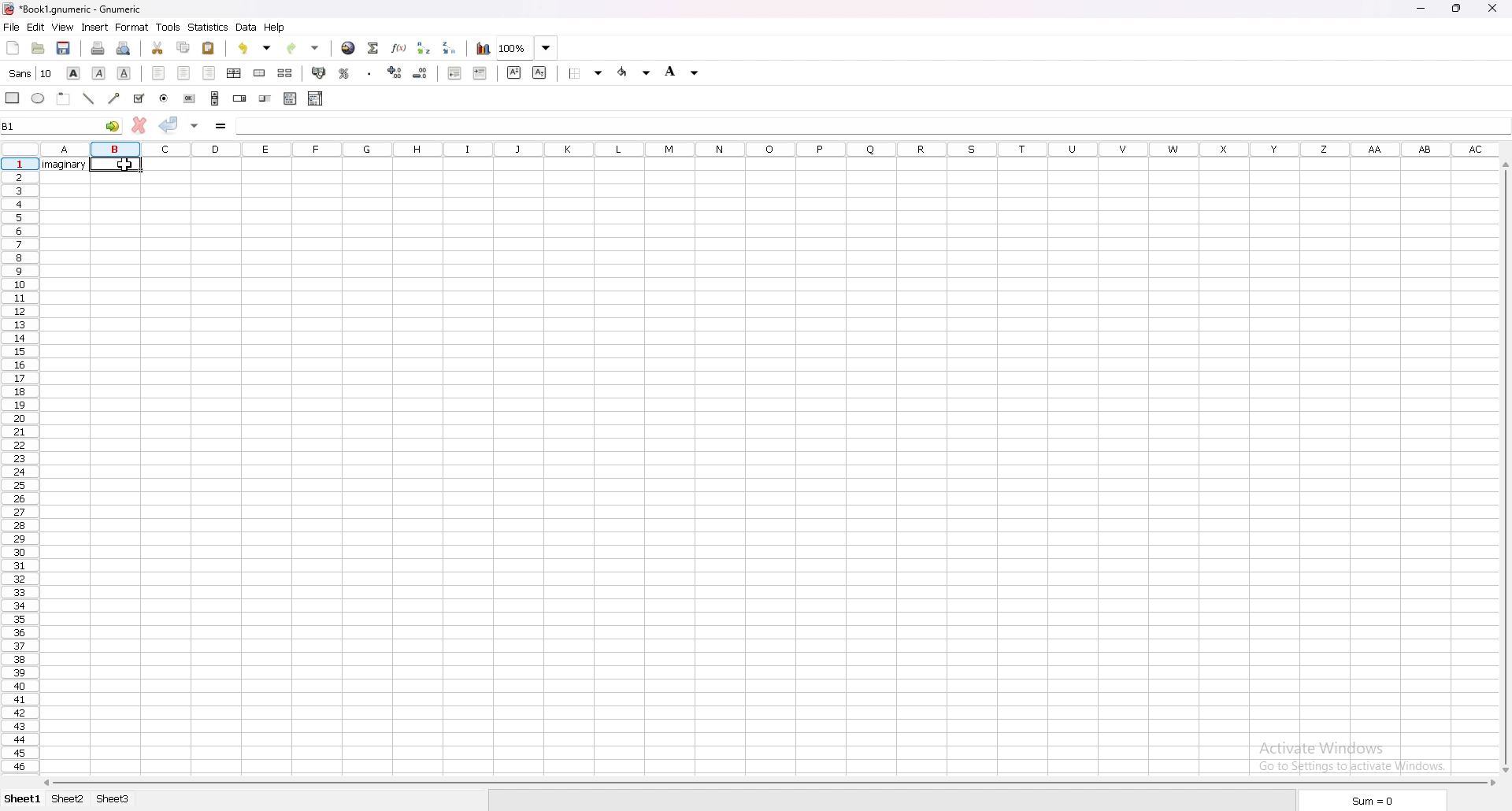 The image size is (1512, 811). I want to click on right align, so click(209, 72).